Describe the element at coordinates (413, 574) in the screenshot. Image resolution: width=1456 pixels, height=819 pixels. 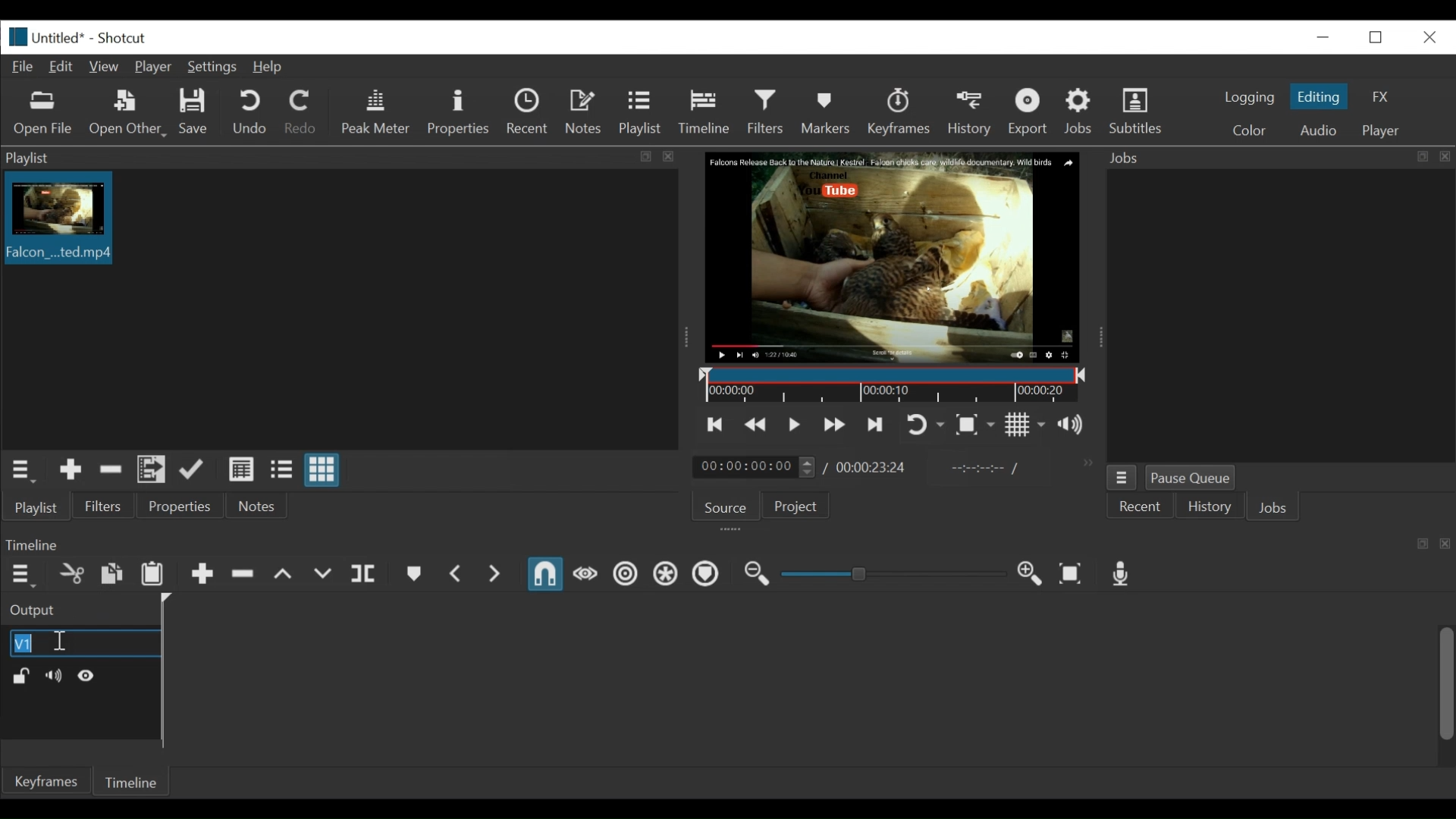
I see `Create or Edit Marker` at that location.